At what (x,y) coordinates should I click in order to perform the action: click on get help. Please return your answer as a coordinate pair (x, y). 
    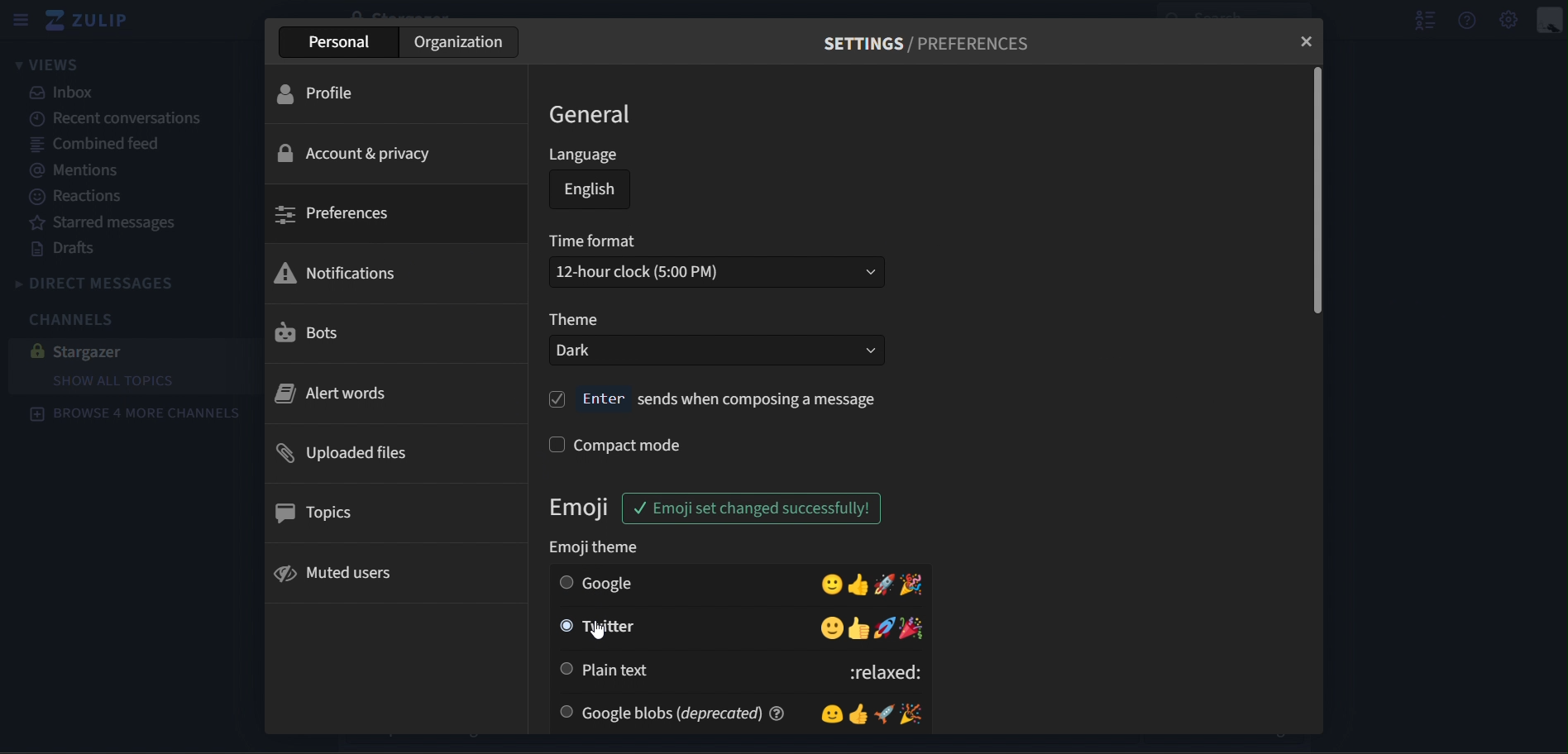
    Looking at the image, I should click on (1469, 19).